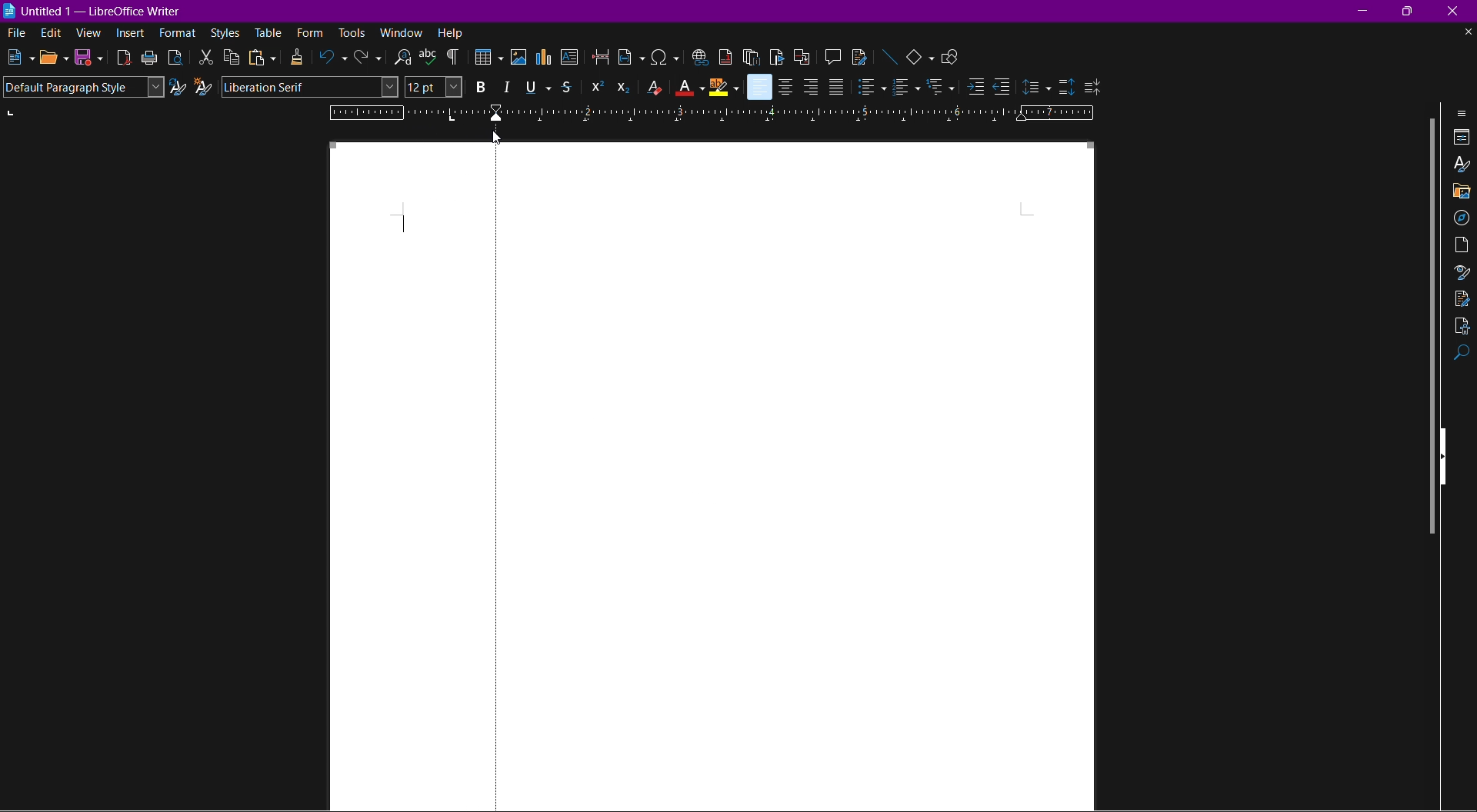 Image resolution: width=1477 pixels, height=812 pixels. I want to click on Copy , so click(232, 58).